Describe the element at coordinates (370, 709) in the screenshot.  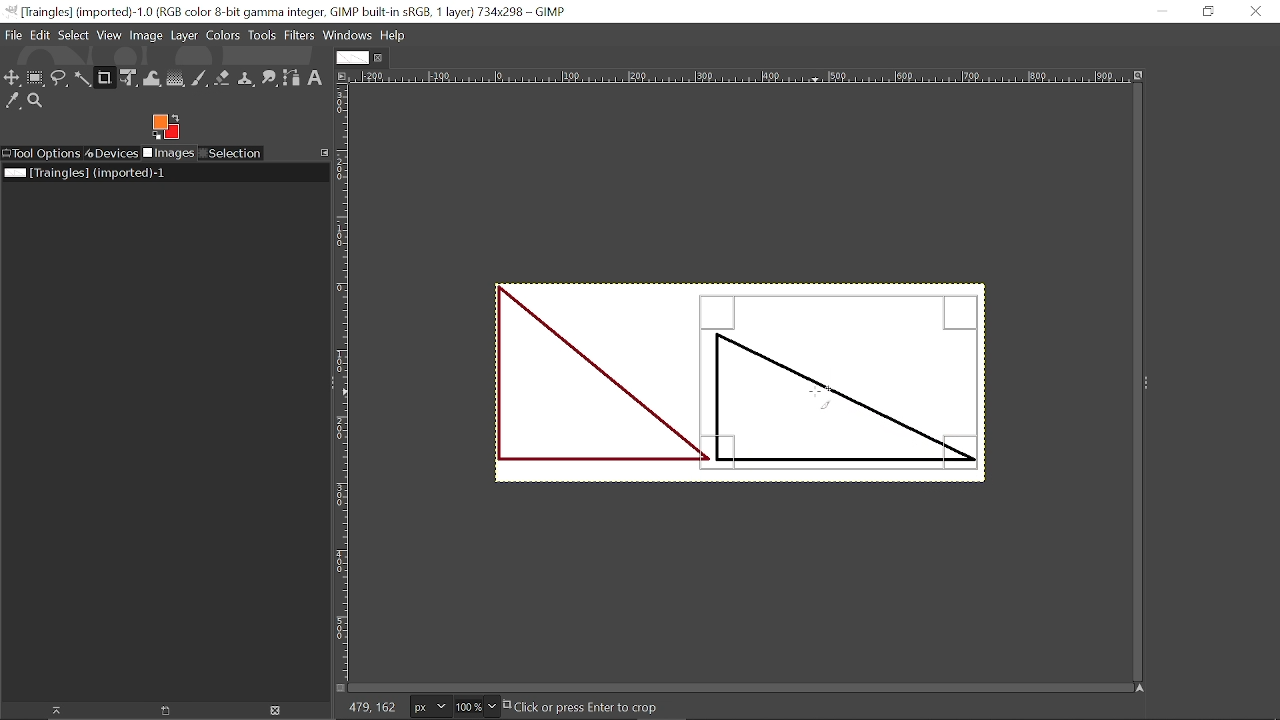
I see `479, 162` at that location.